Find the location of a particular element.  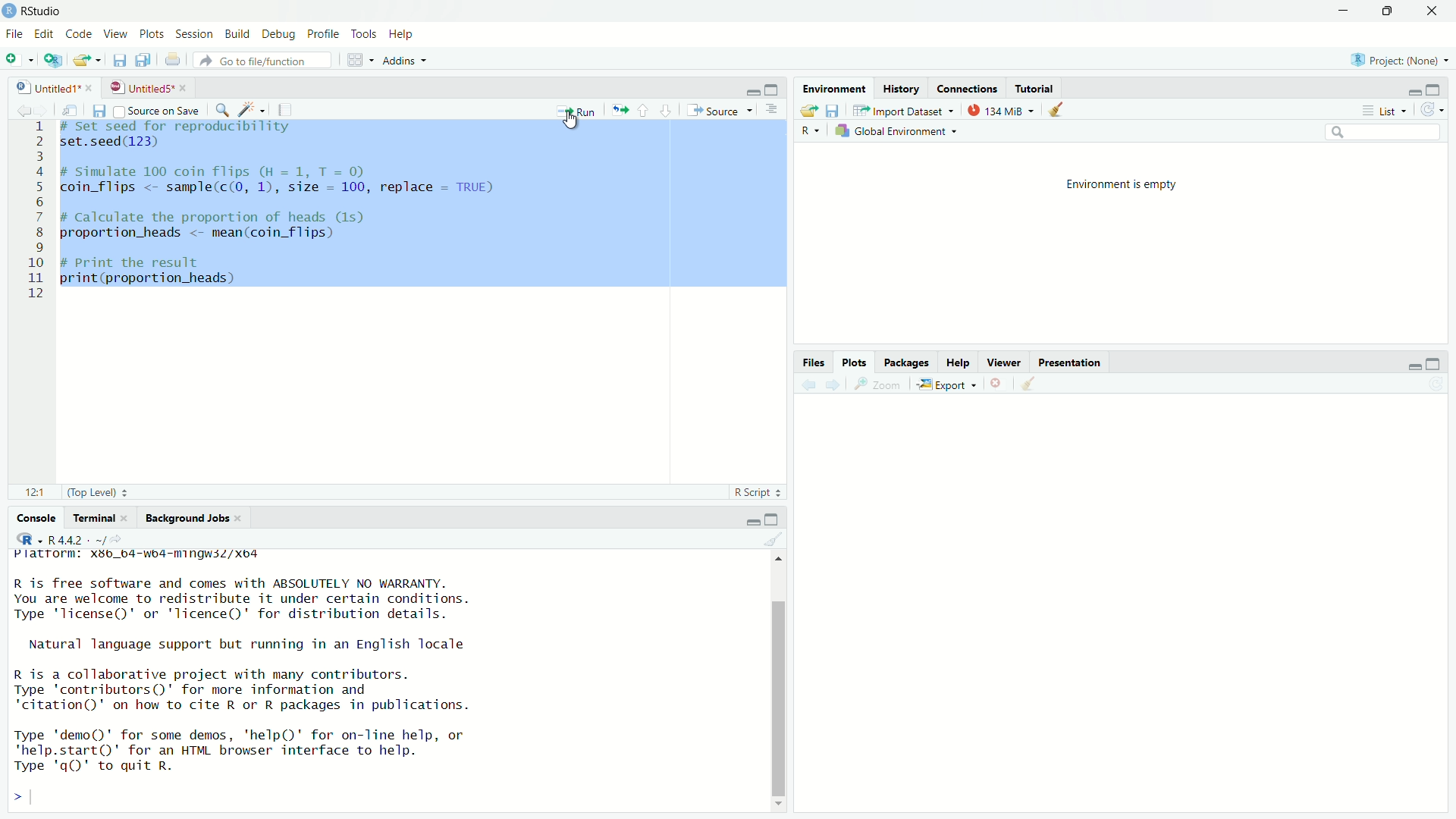

# set seed for reproducibility is located at coordinates (189, 127).